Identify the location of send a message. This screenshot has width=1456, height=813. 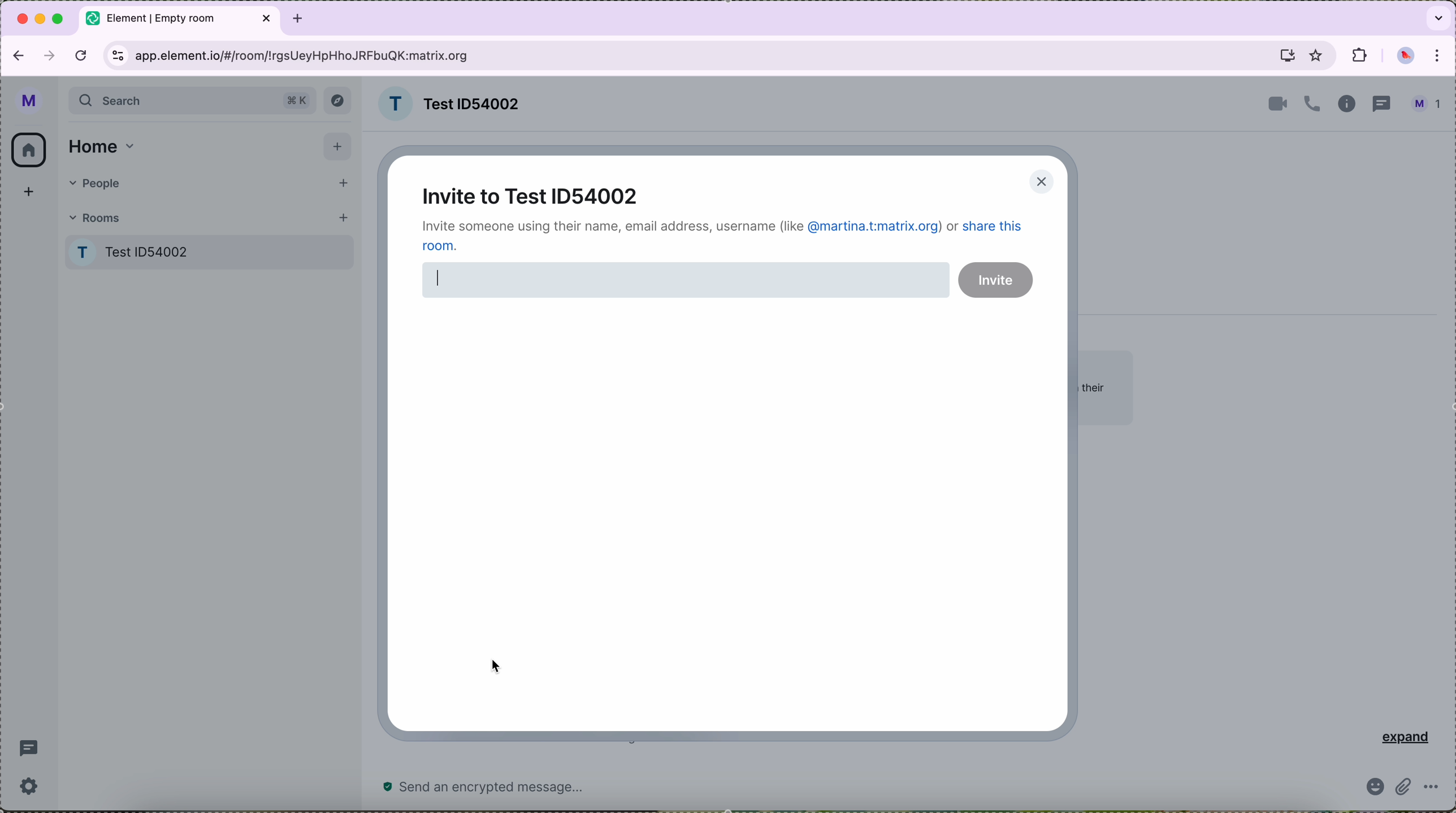
(537, 788).